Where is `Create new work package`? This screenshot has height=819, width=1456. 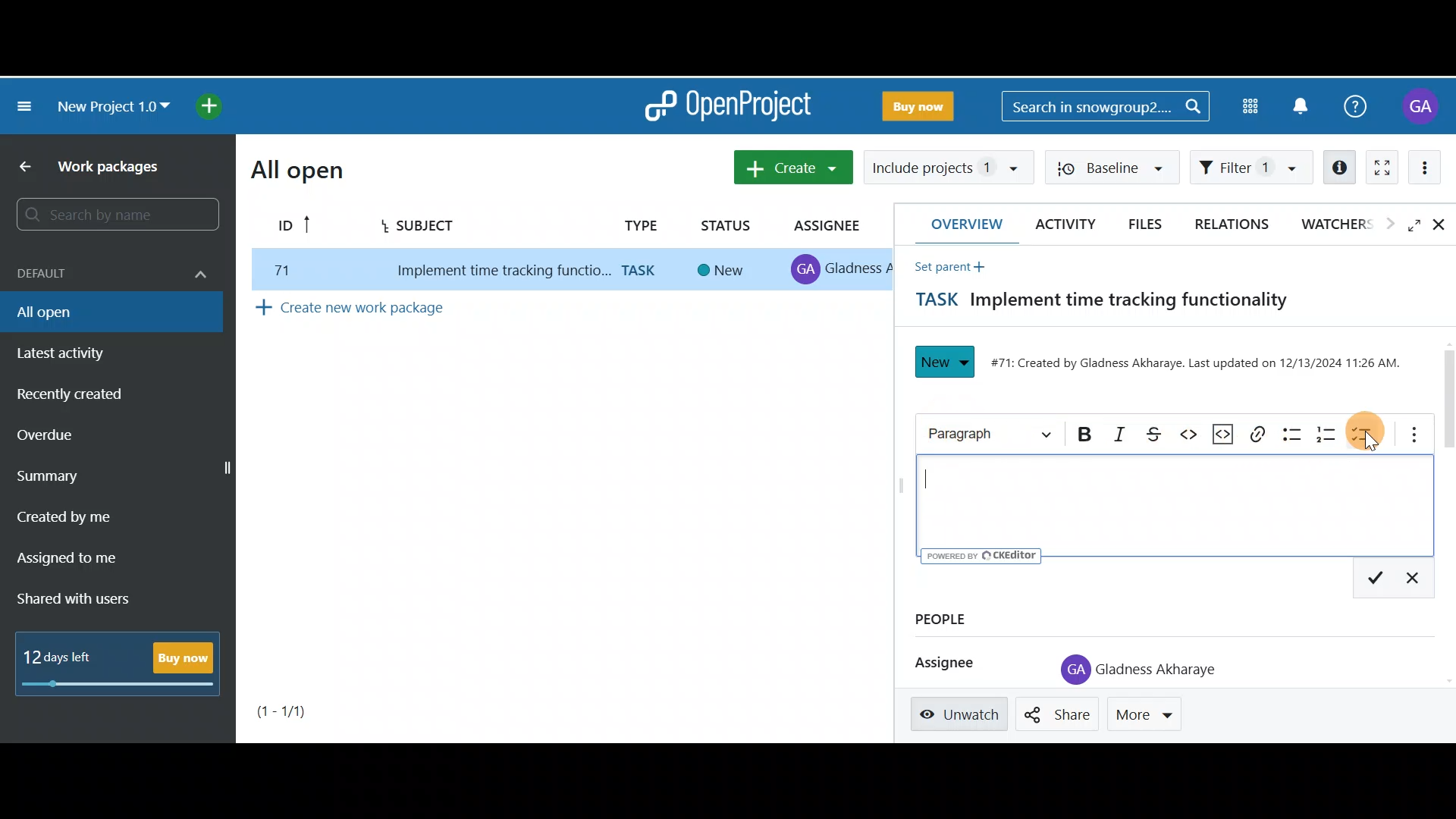 Create new work package is located at coordinates (390, 311).